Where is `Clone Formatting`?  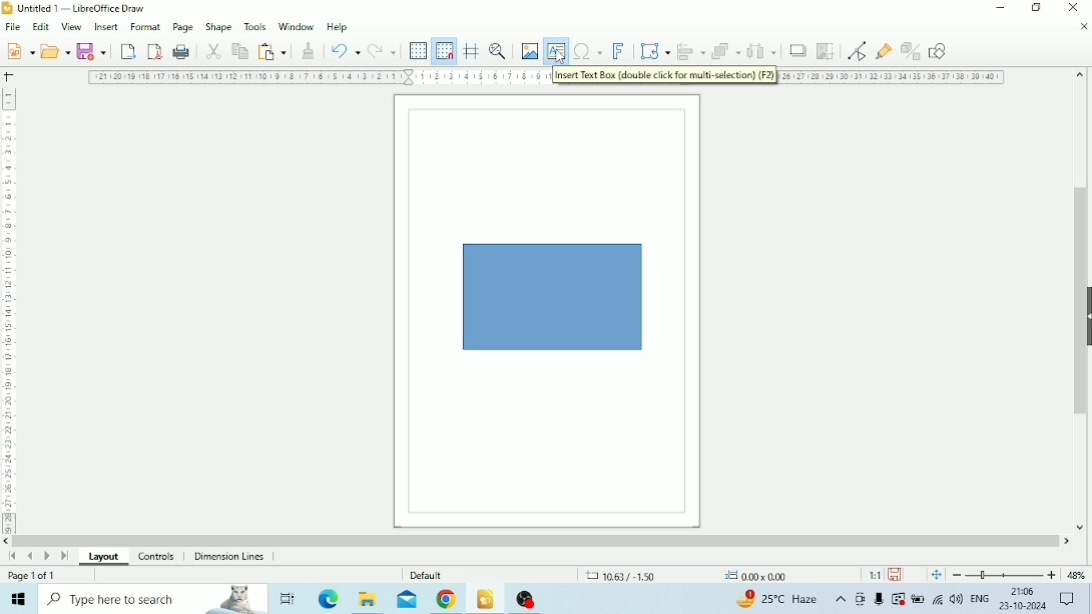 Clone Formatting is located at coordinates (310, 51).